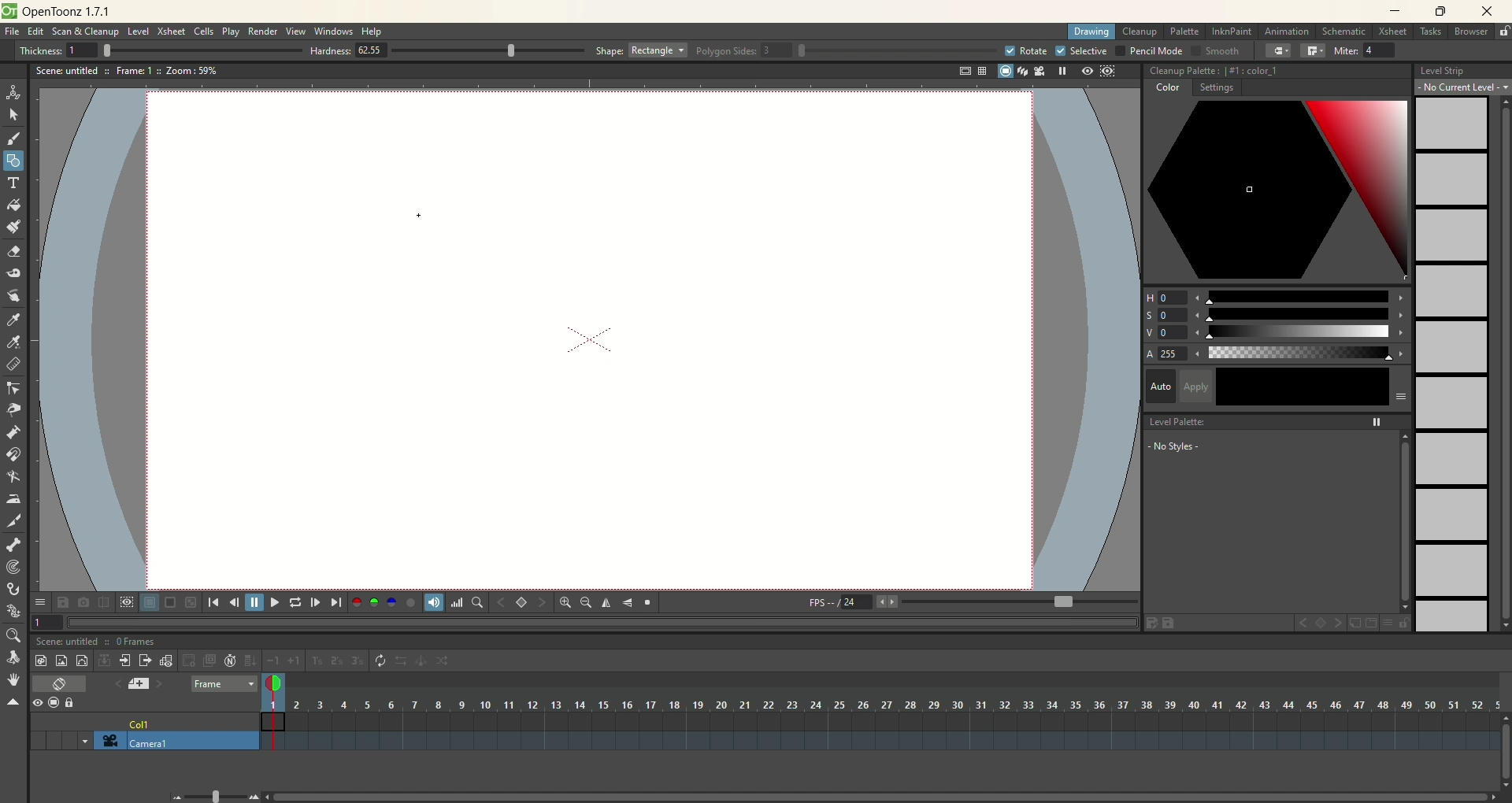  Describe the element at coordinates (1062, 602) in the screenshot. I see `set the playback frame rate` at that location.